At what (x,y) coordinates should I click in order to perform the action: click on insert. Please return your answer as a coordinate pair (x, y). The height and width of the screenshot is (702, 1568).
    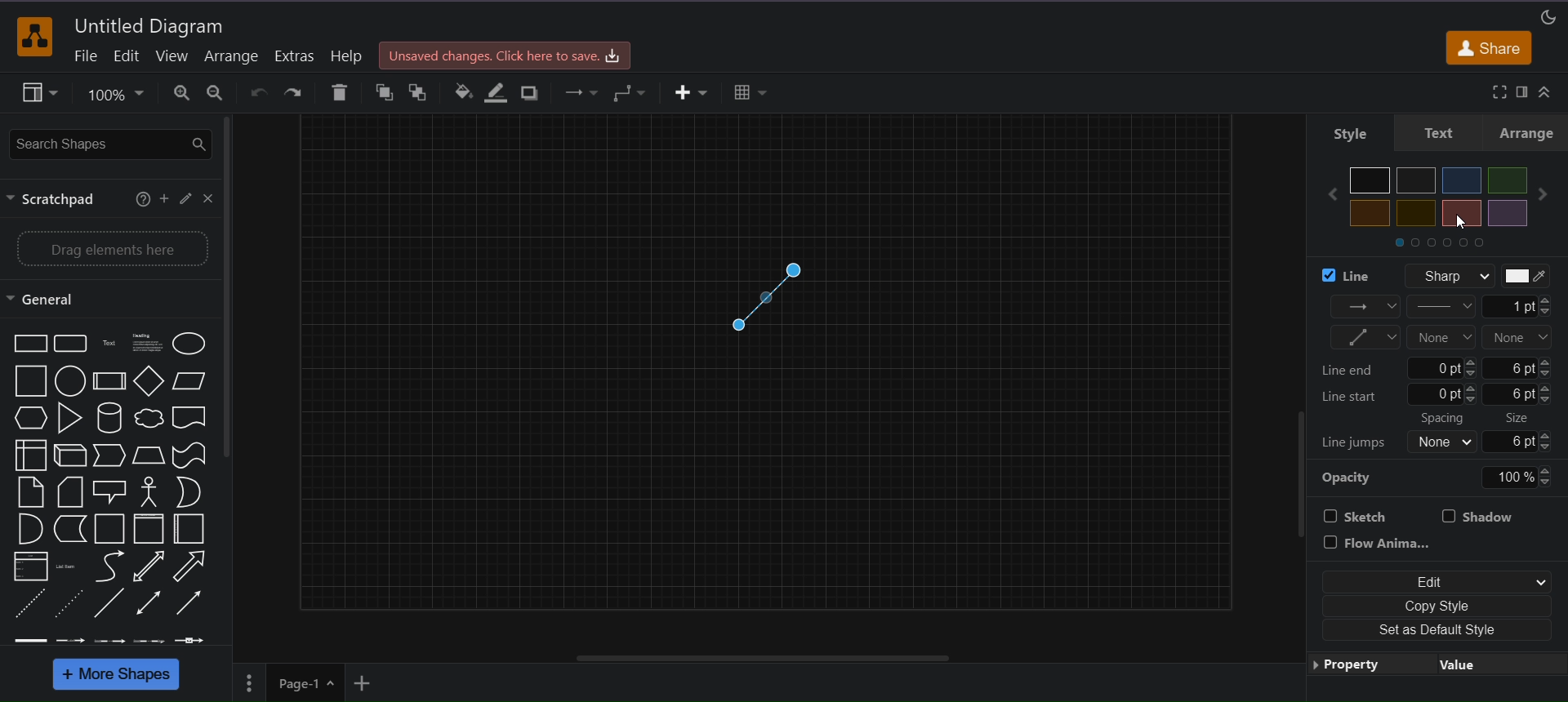
    Looking at the image, I should click on (688, 92).